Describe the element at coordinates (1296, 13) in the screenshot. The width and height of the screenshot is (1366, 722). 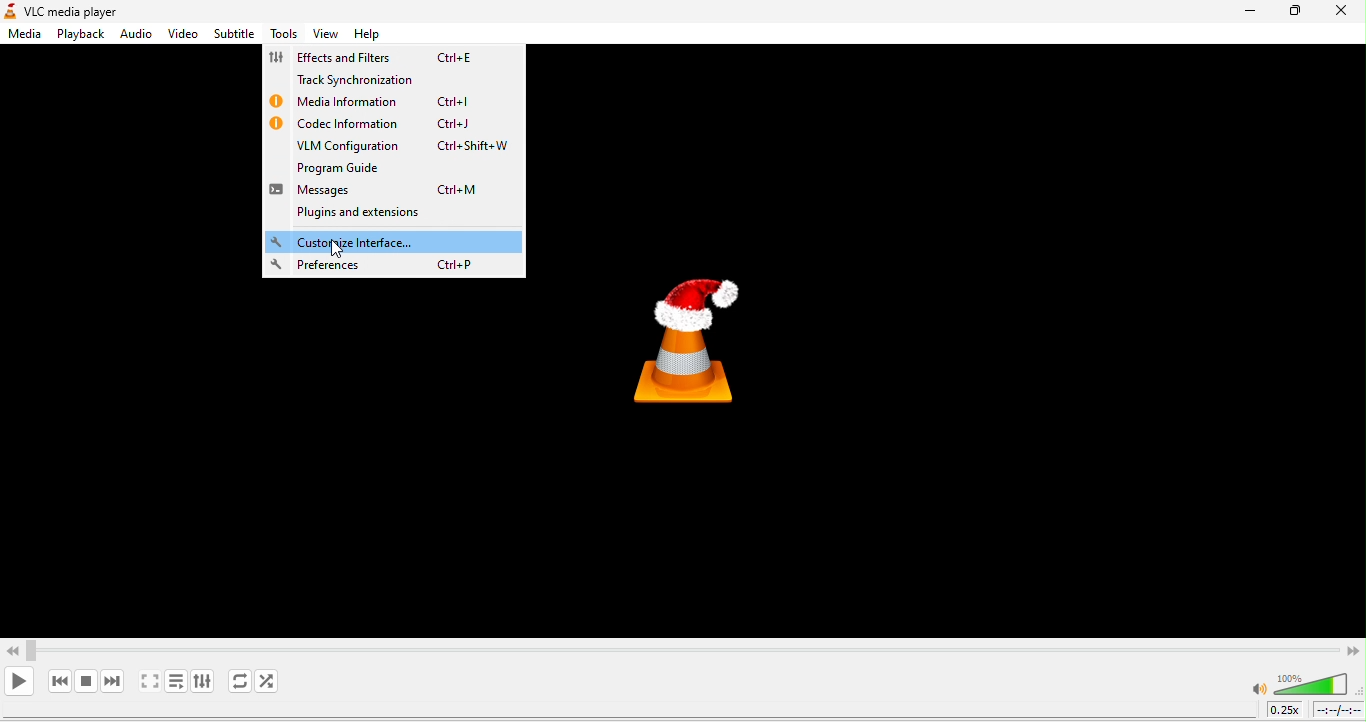
I see `maximize` at that location.